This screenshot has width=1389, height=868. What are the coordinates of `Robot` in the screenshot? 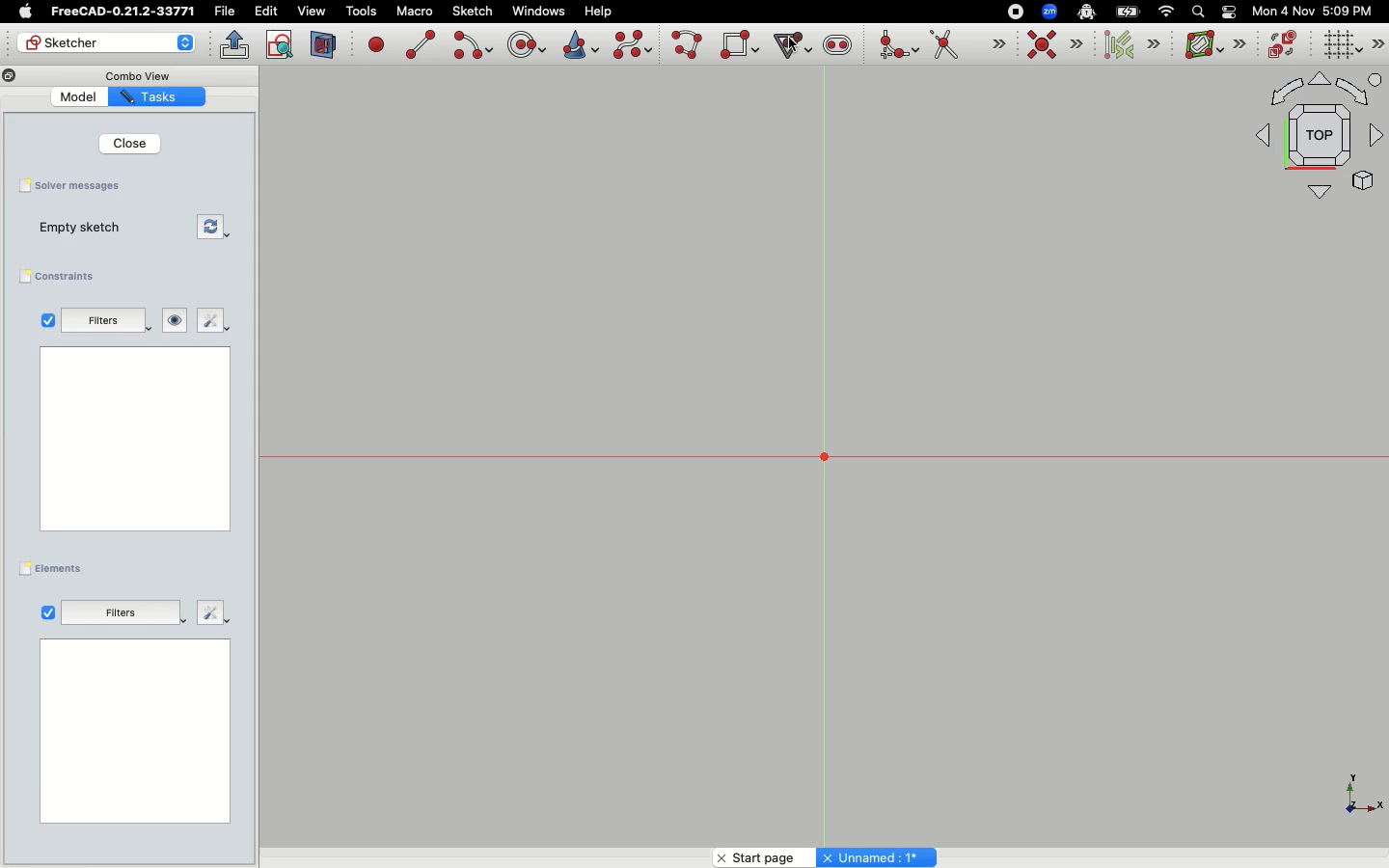 It's located at (1086, 14).